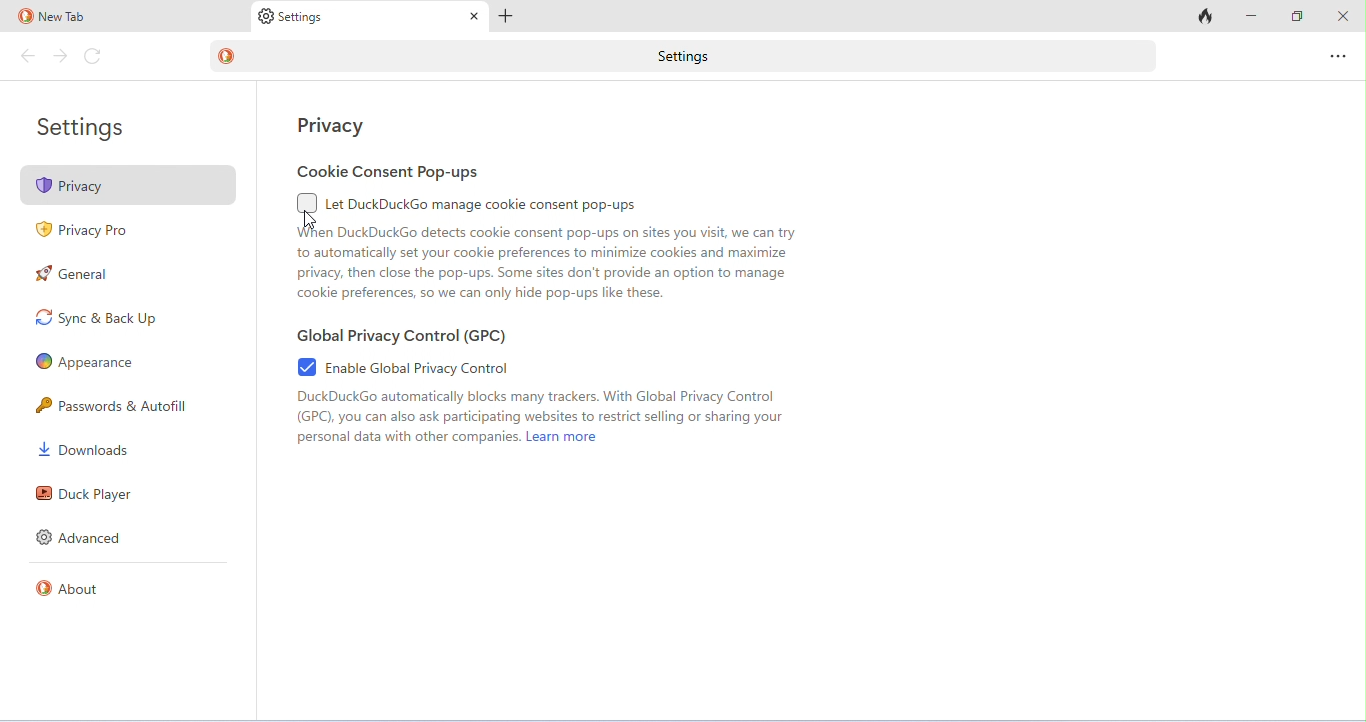  Describe the element at coordinates (60, 56) in the screenshot. I see `go forward` at that location.